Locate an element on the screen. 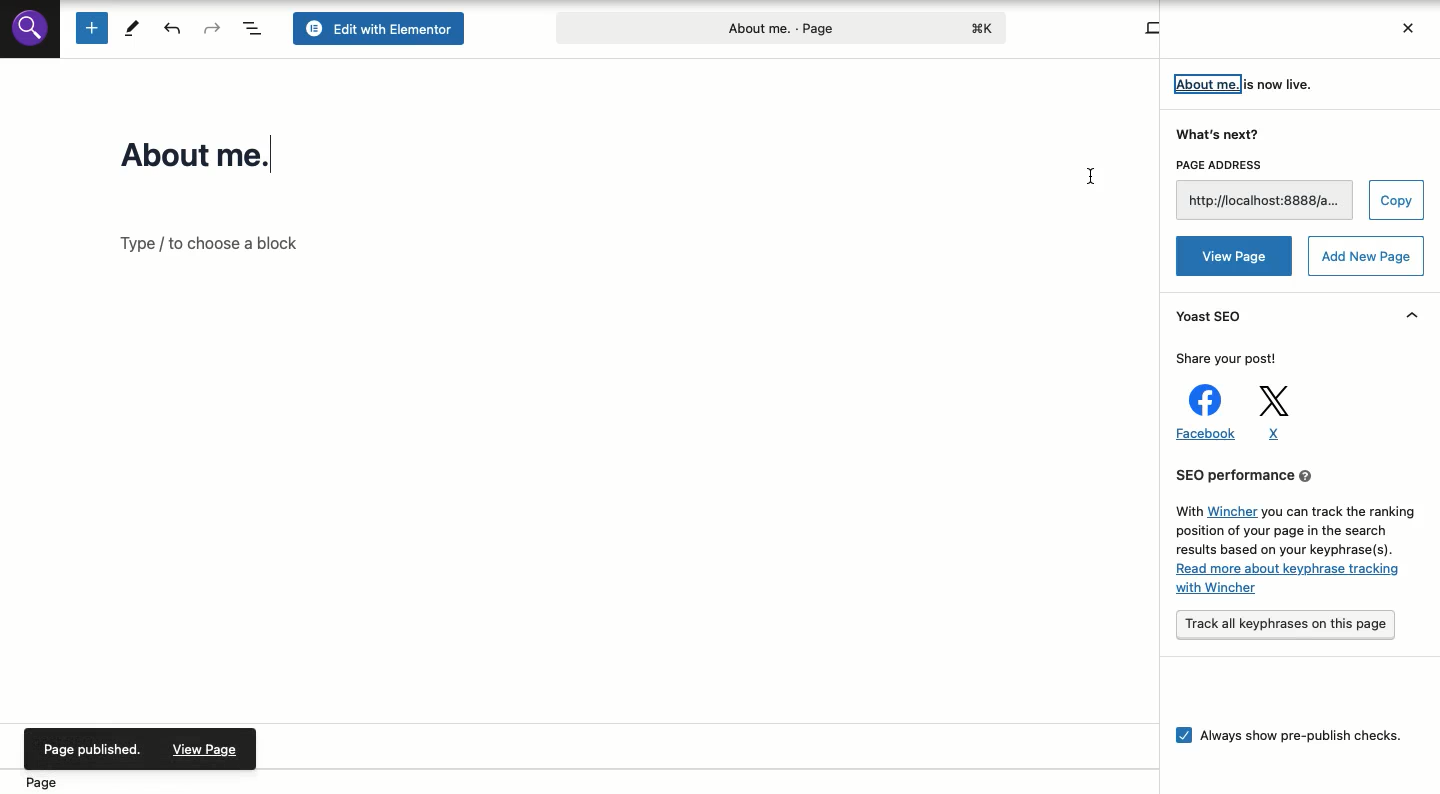  Yoast SEO is located at coordinates (1214, 319).